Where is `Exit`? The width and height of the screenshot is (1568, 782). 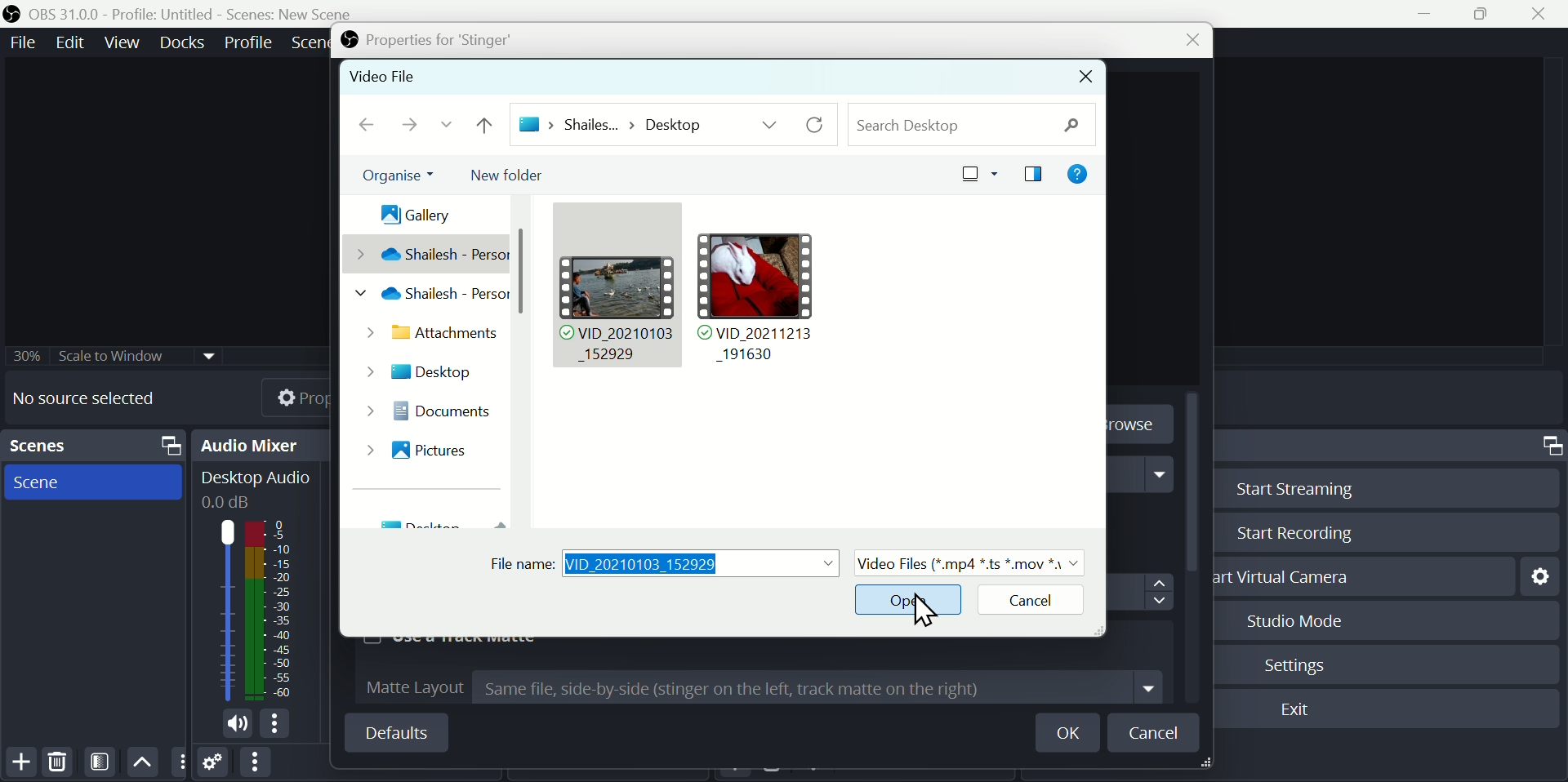 Exit is located at coordinates (1298, 711).